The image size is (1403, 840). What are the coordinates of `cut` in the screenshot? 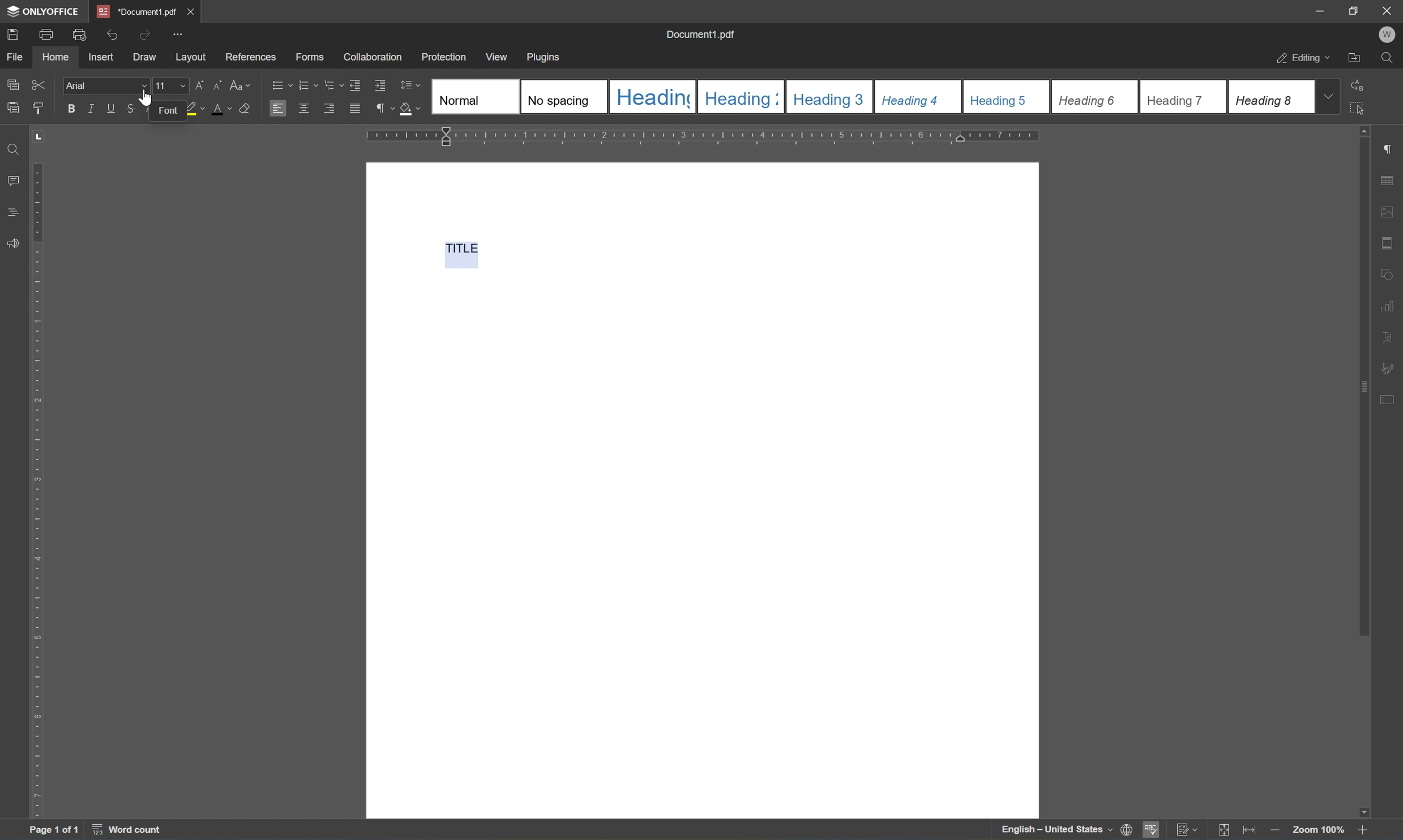 It's located at (39, 85).